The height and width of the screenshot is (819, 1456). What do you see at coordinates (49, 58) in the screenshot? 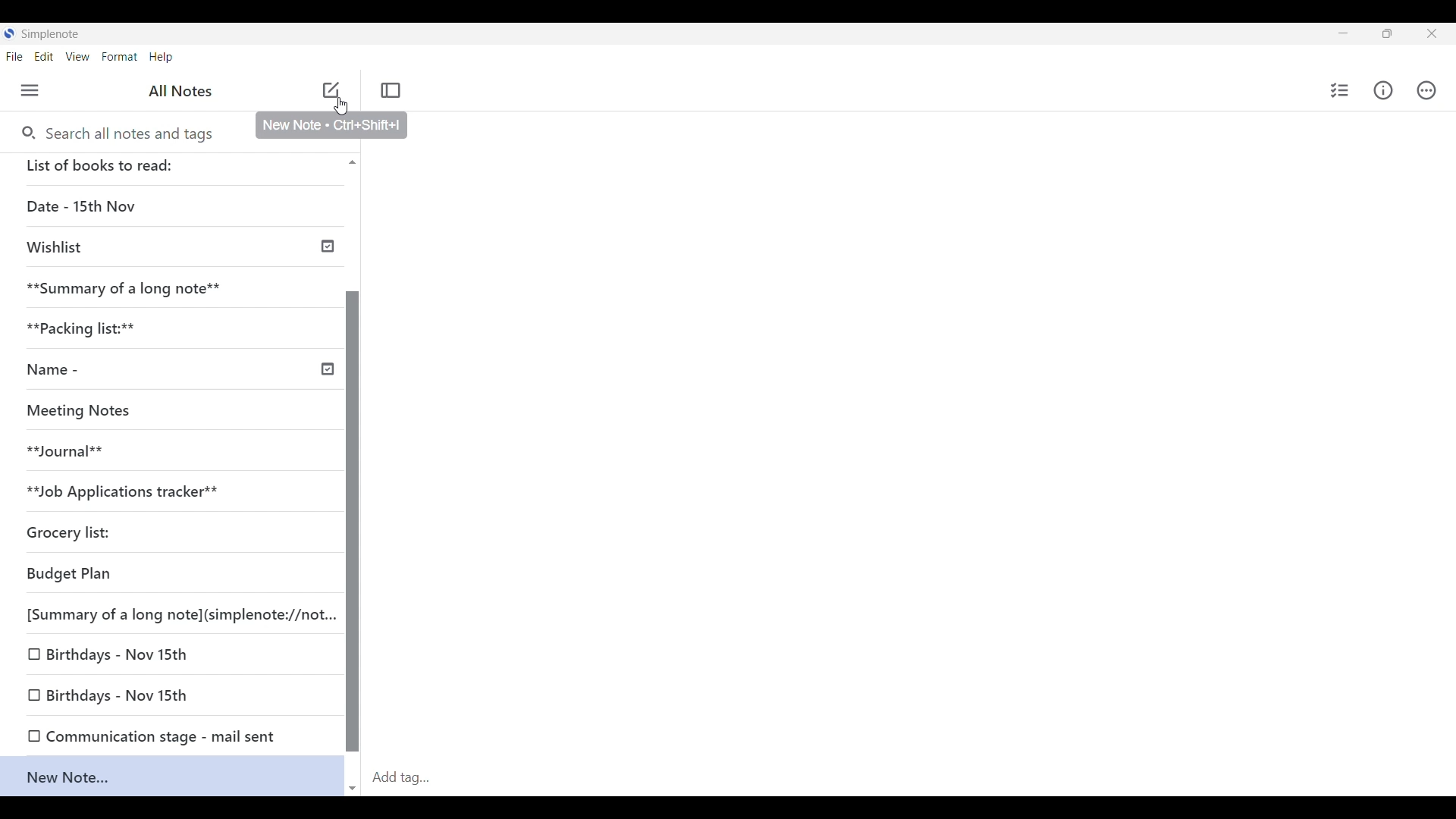
I see `Edit` at bounding box center [49, 58].